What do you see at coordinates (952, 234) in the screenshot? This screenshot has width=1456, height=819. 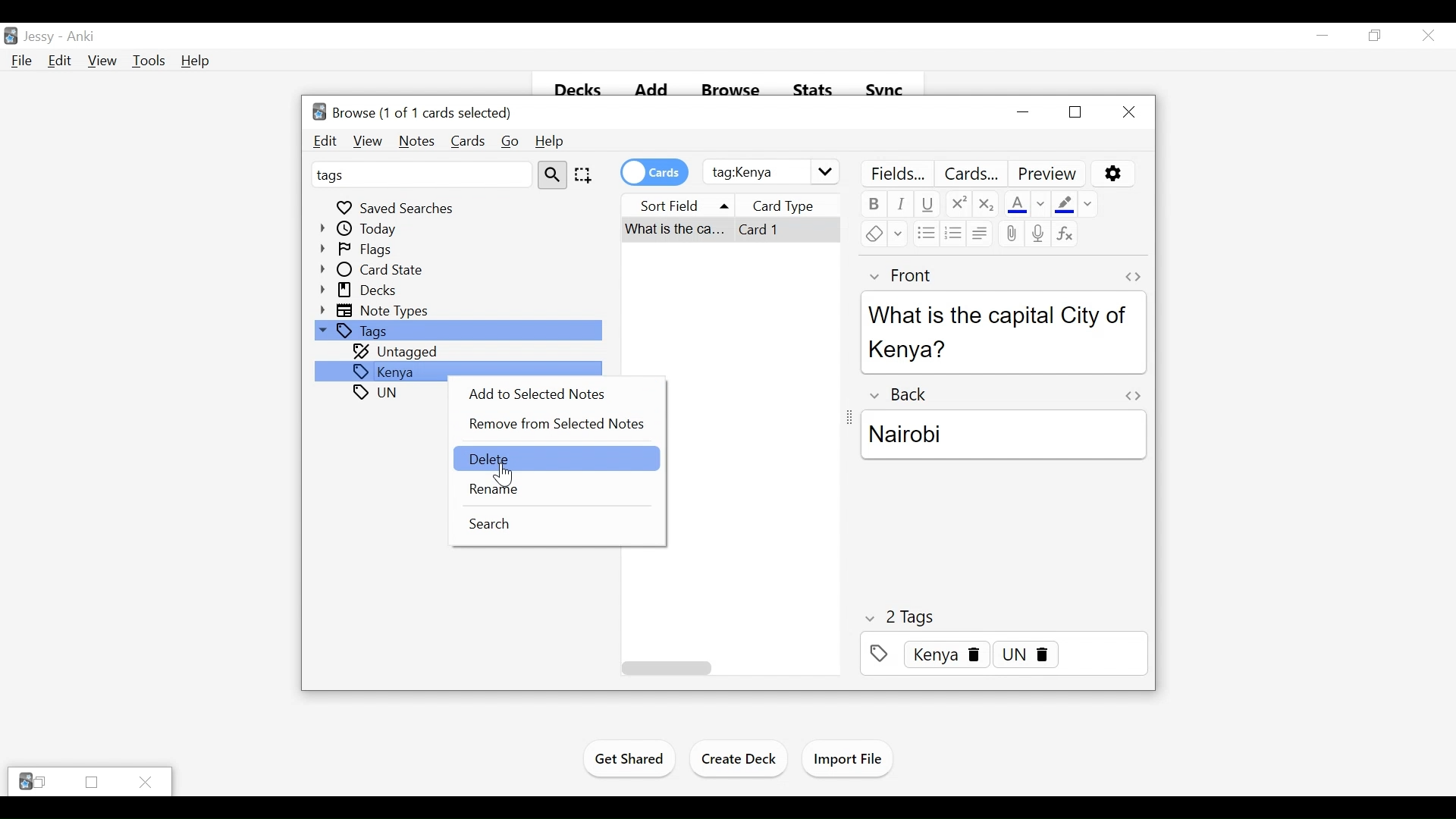 I see `Ordered list` at bounding box center [952, 234].